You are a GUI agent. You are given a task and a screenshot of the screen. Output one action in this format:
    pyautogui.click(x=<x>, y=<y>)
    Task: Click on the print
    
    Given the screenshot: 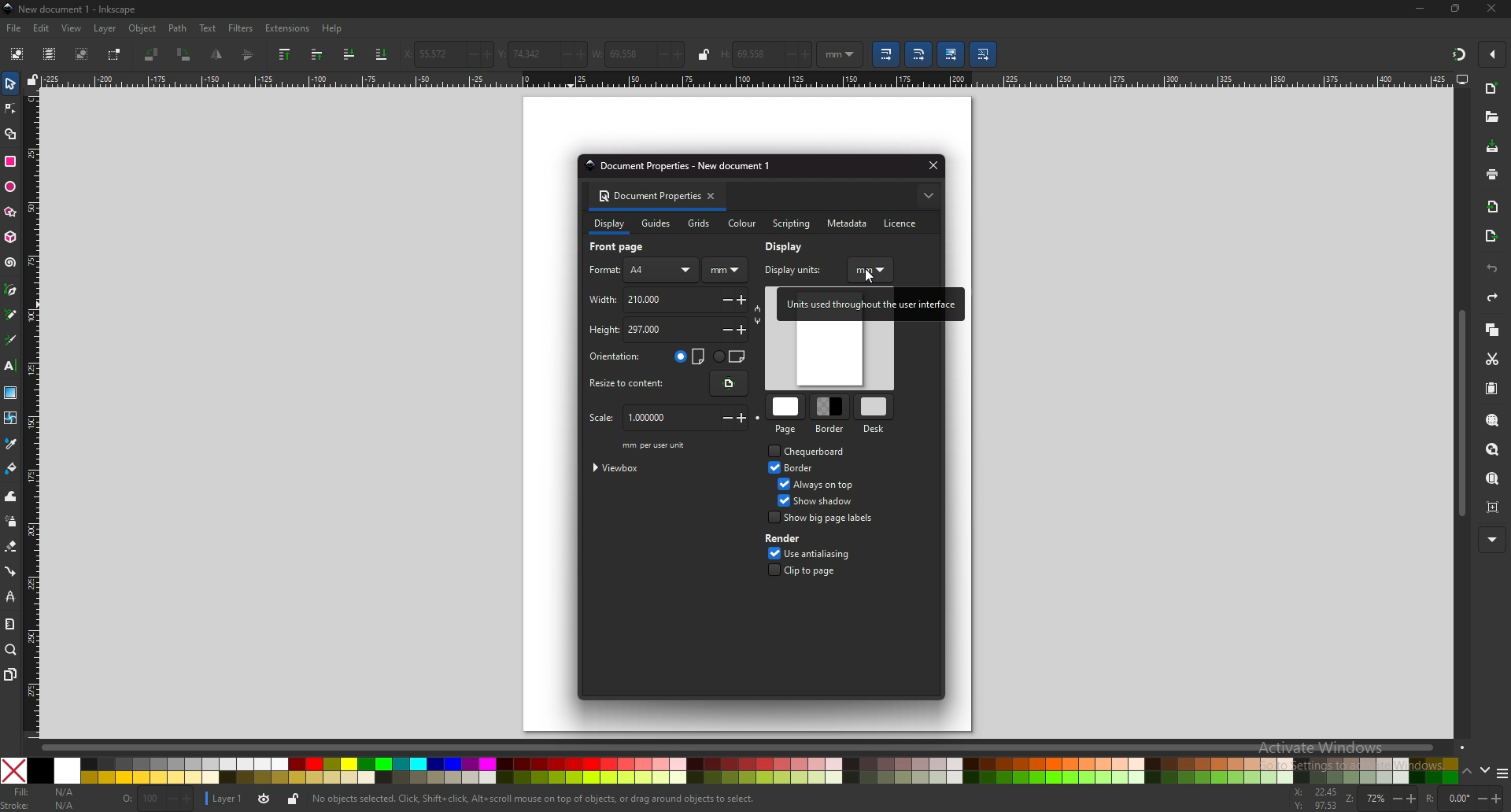 What is the action you would take?
    pyautogui.click(x=1492, y=174)
    